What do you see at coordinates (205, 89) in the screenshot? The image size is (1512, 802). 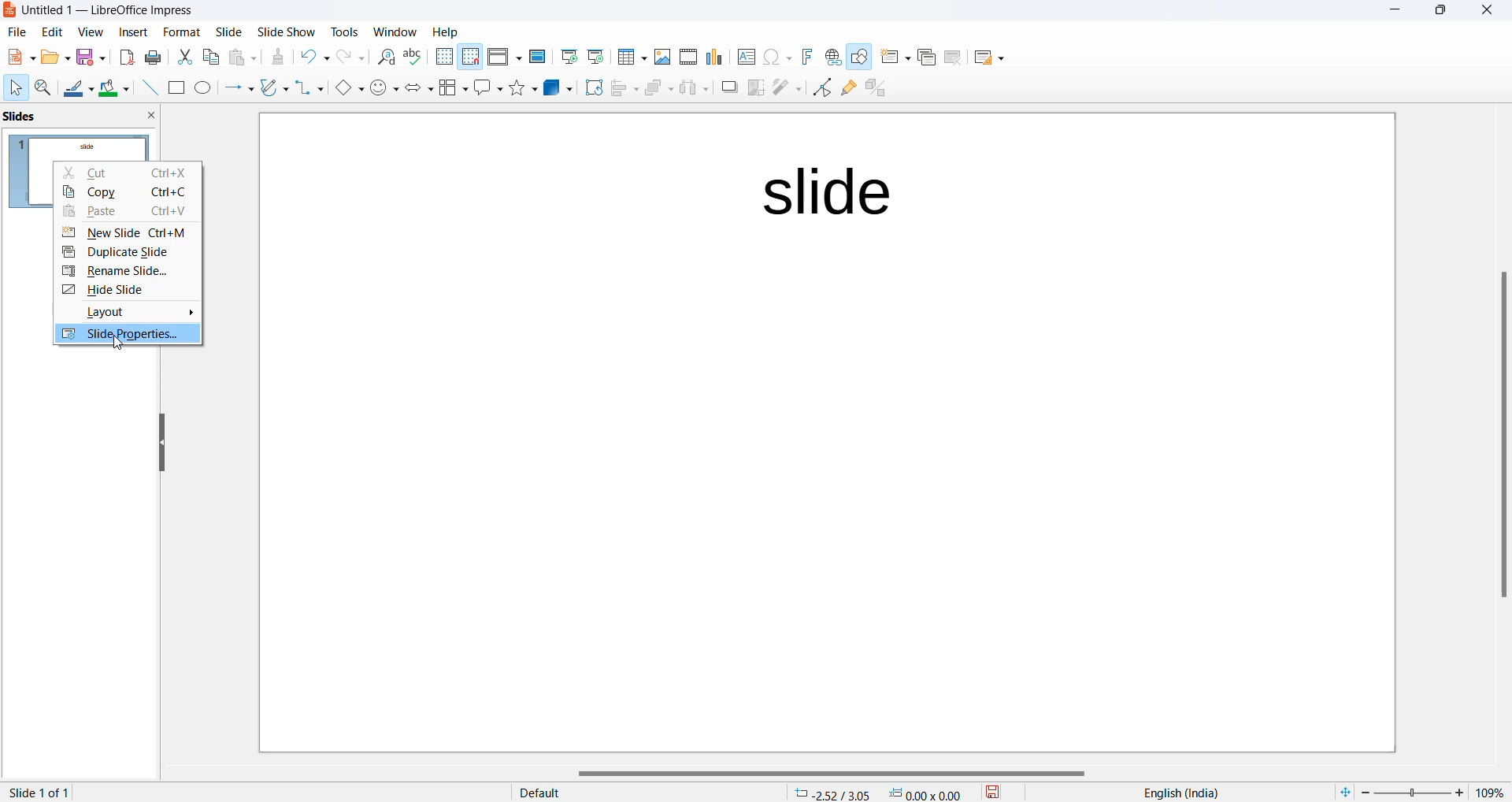 I see `ellipse` at bounding box center [205, 89].